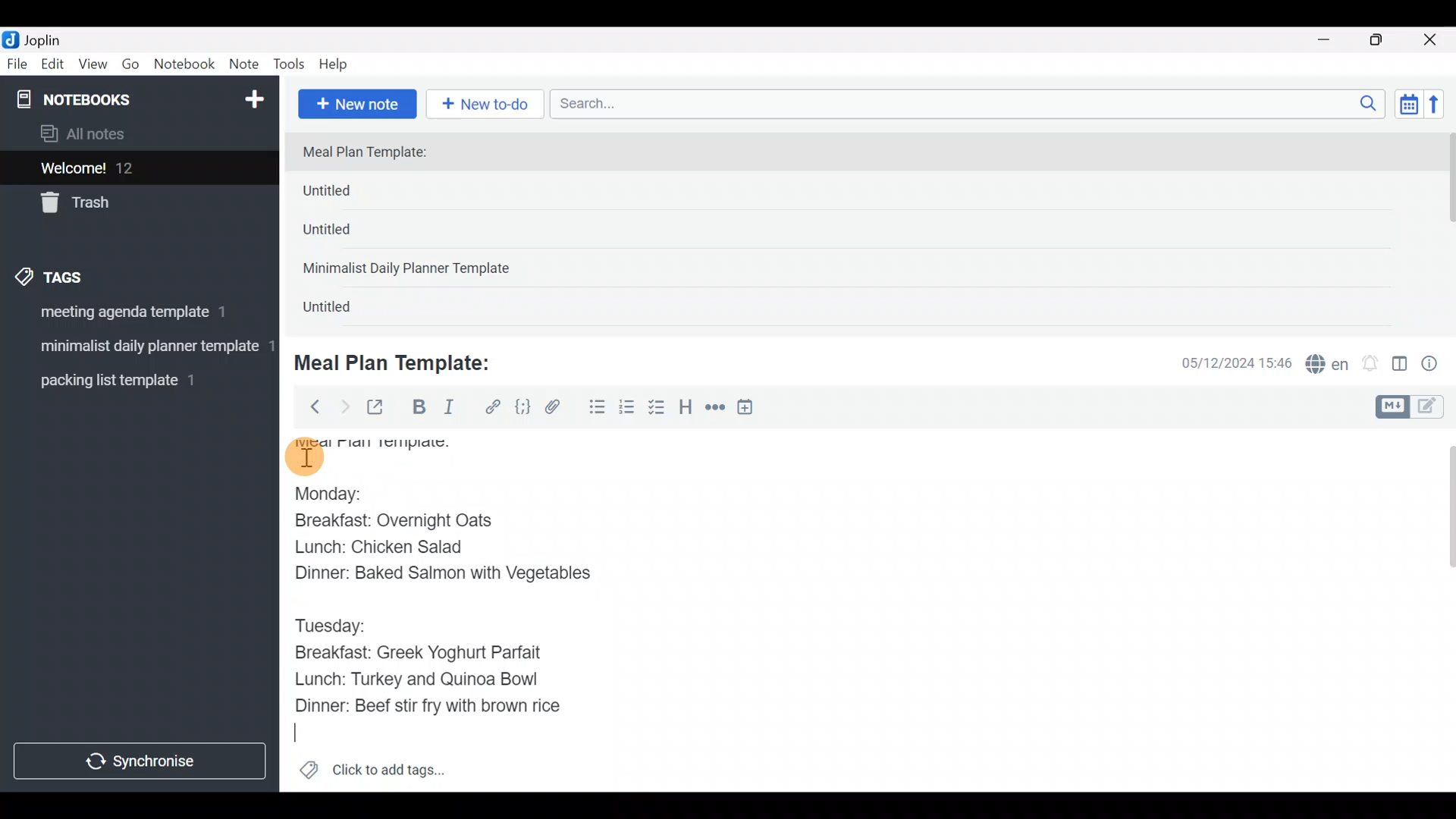  Describe the element at coordinates (447, 410) in the screenshot. I see `Italic` at that location.